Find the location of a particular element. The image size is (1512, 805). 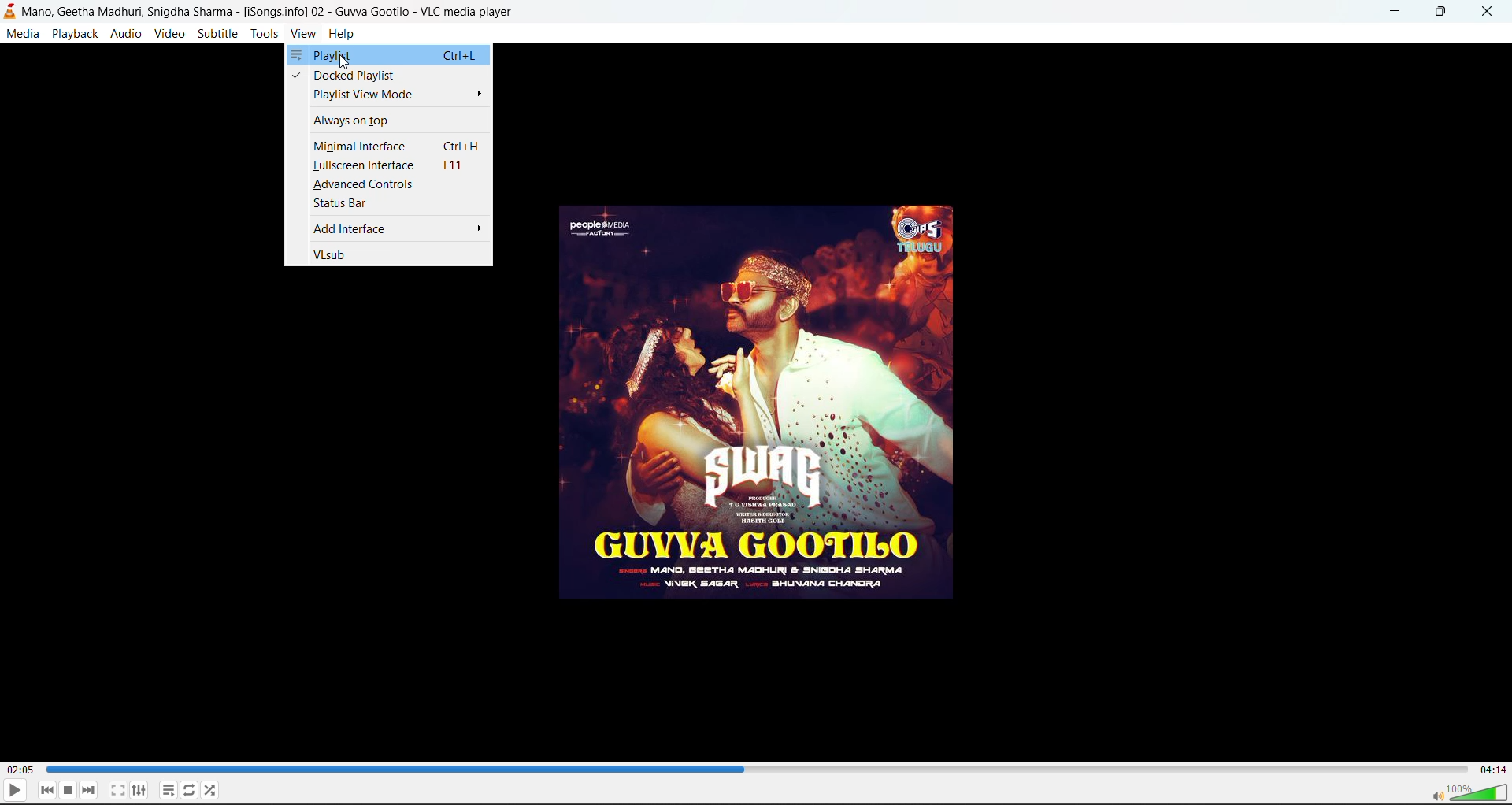

total time is located at coordinates (1493, 770).